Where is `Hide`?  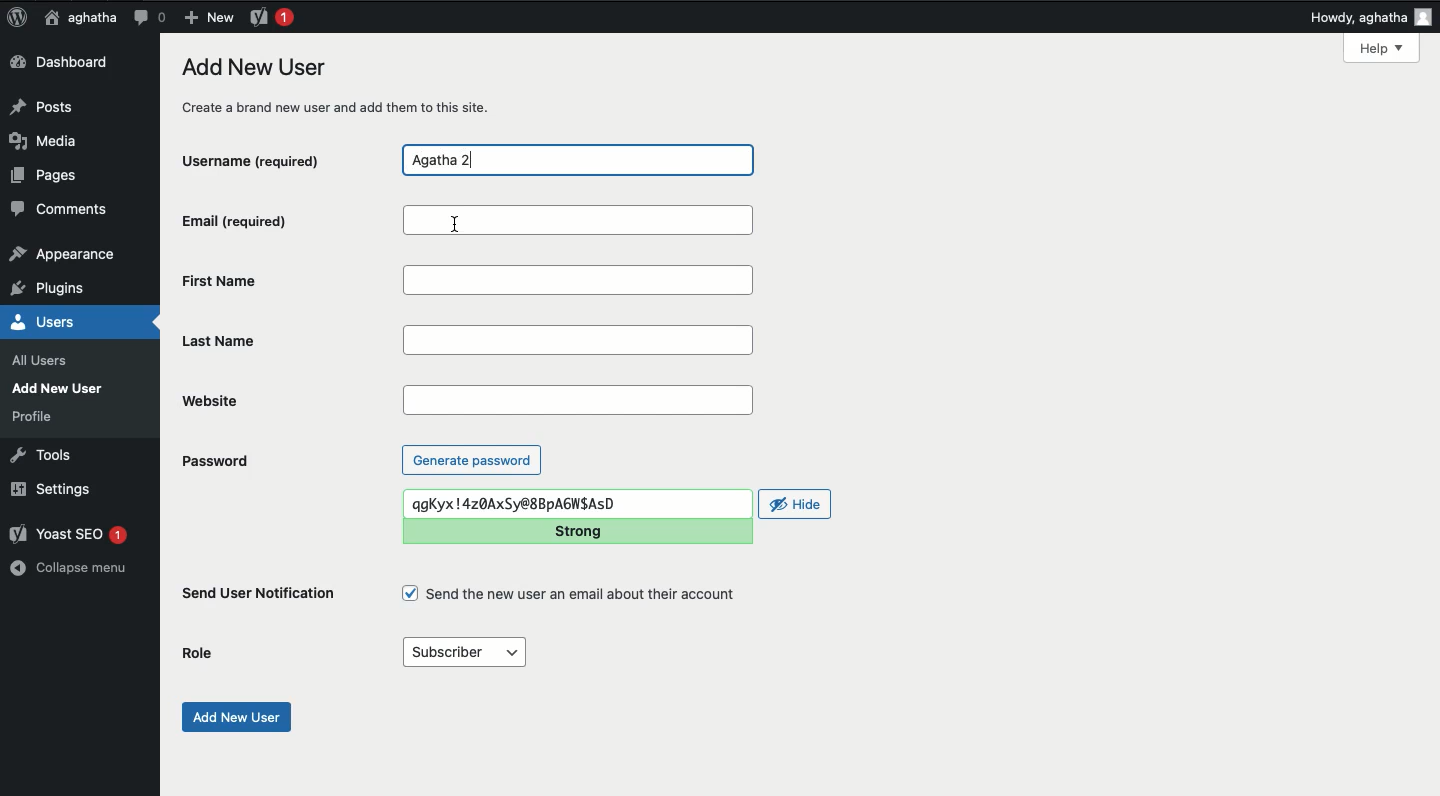 Hide is located at coordinates (796, 504).